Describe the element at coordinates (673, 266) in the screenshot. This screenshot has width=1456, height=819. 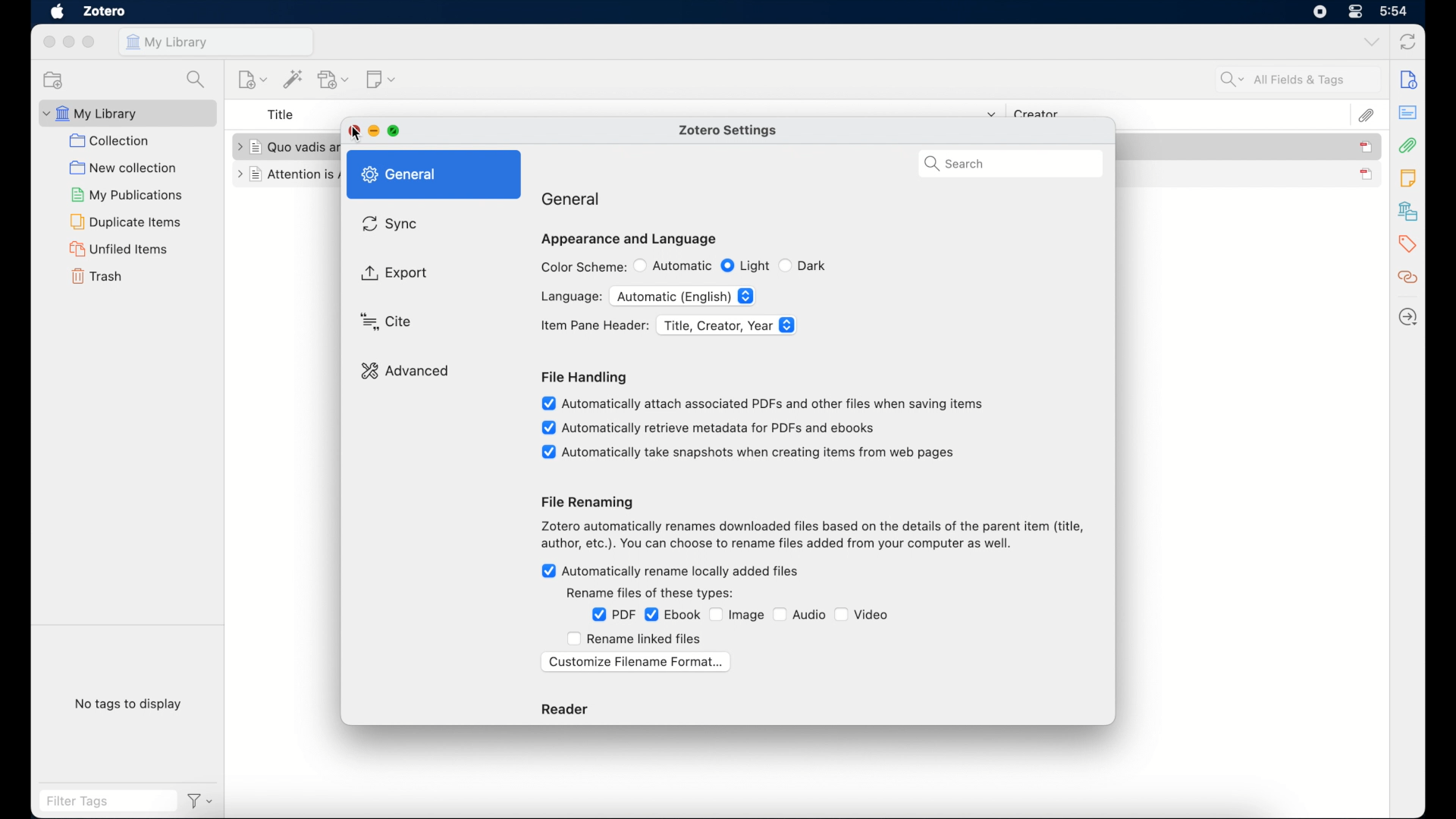
I see `automatic radio button` at that location.